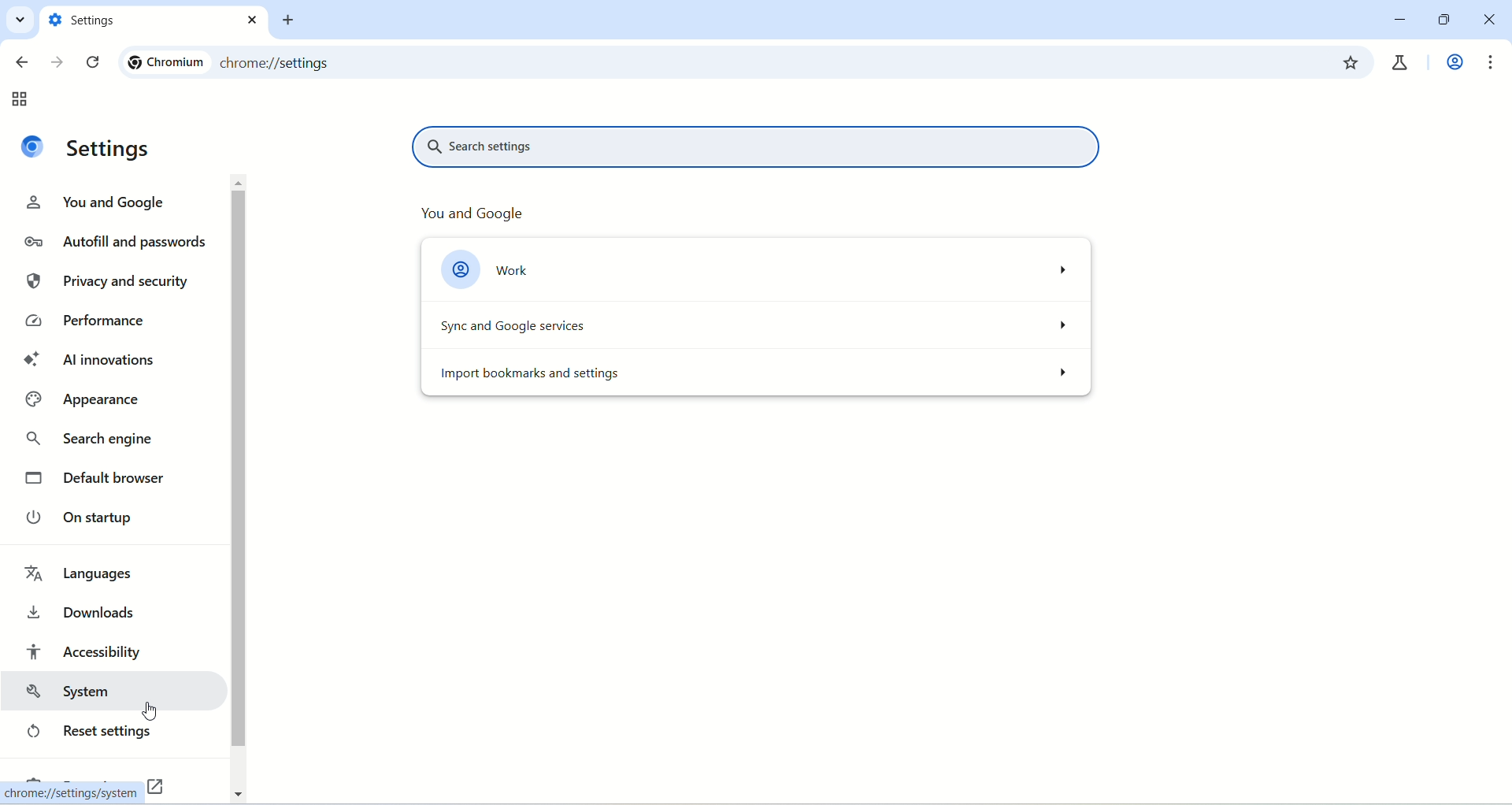 The height and width of the screenshot is (805, 1512). I want to click on tab groups, so click(23, 100).